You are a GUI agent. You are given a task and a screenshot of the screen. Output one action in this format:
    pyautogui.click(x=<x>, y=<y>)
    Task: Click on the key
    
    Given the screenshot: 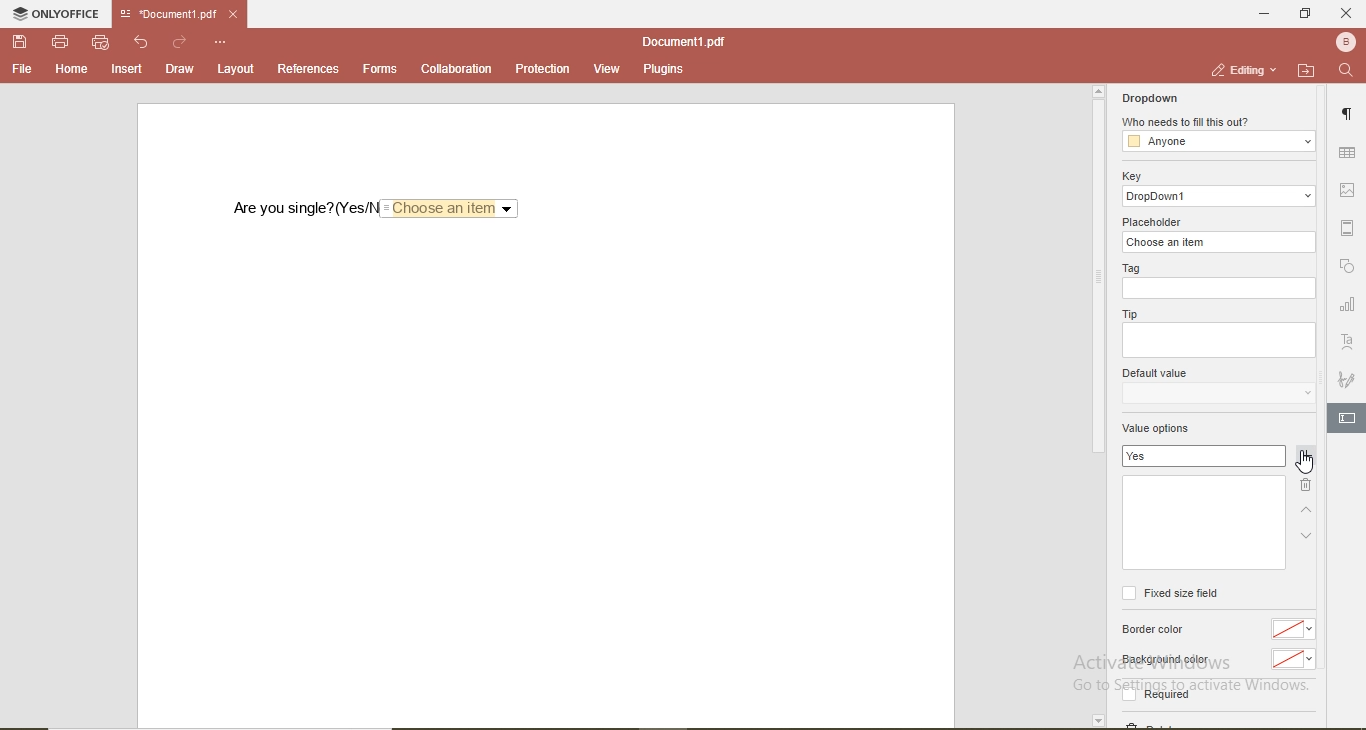 What is the action you would take?
    pyautogui.click(x=1135, y=176)
    